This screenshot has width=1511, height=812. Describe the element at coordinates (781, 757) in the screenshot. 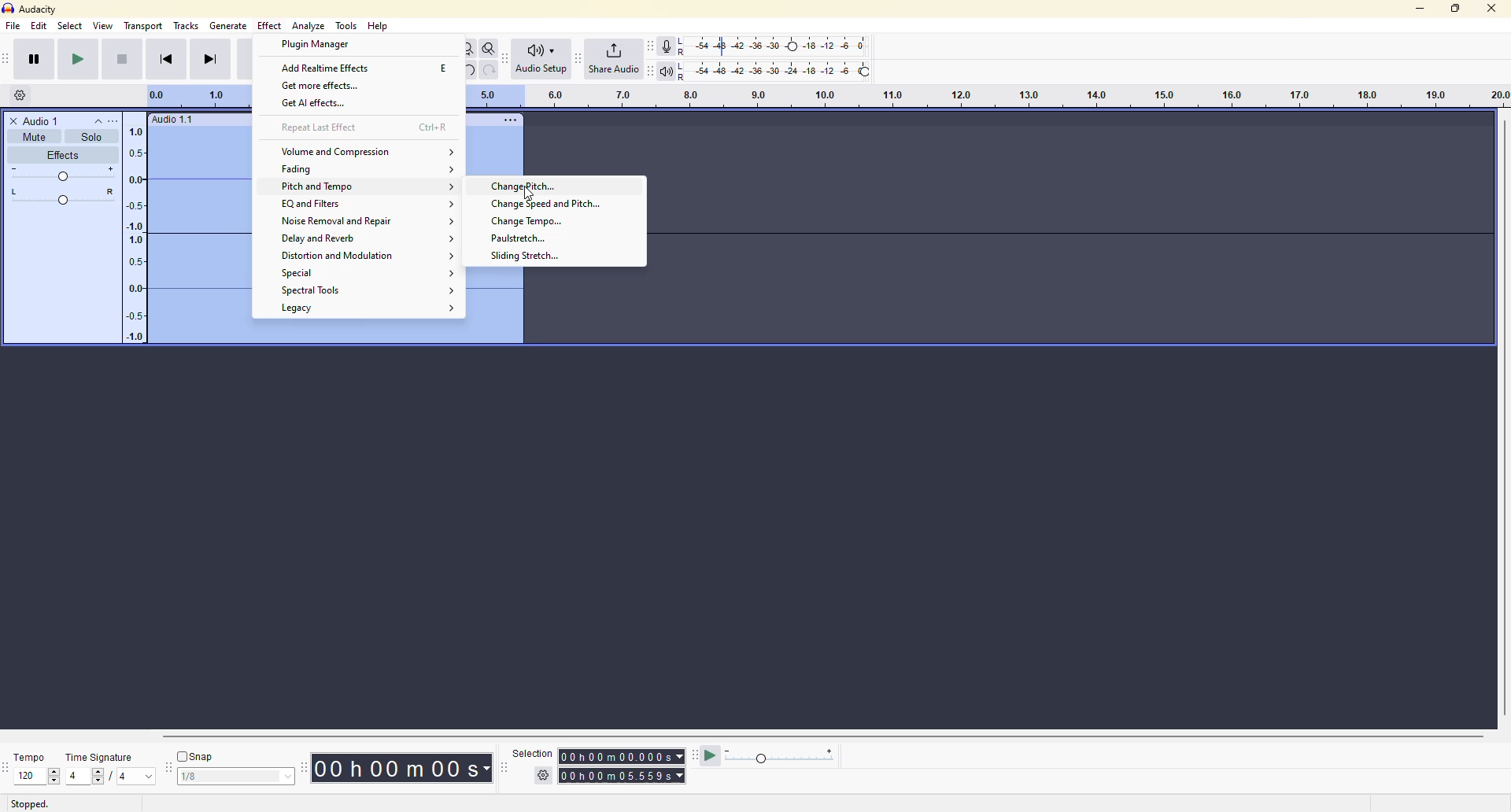

I see `play meter` at that location.